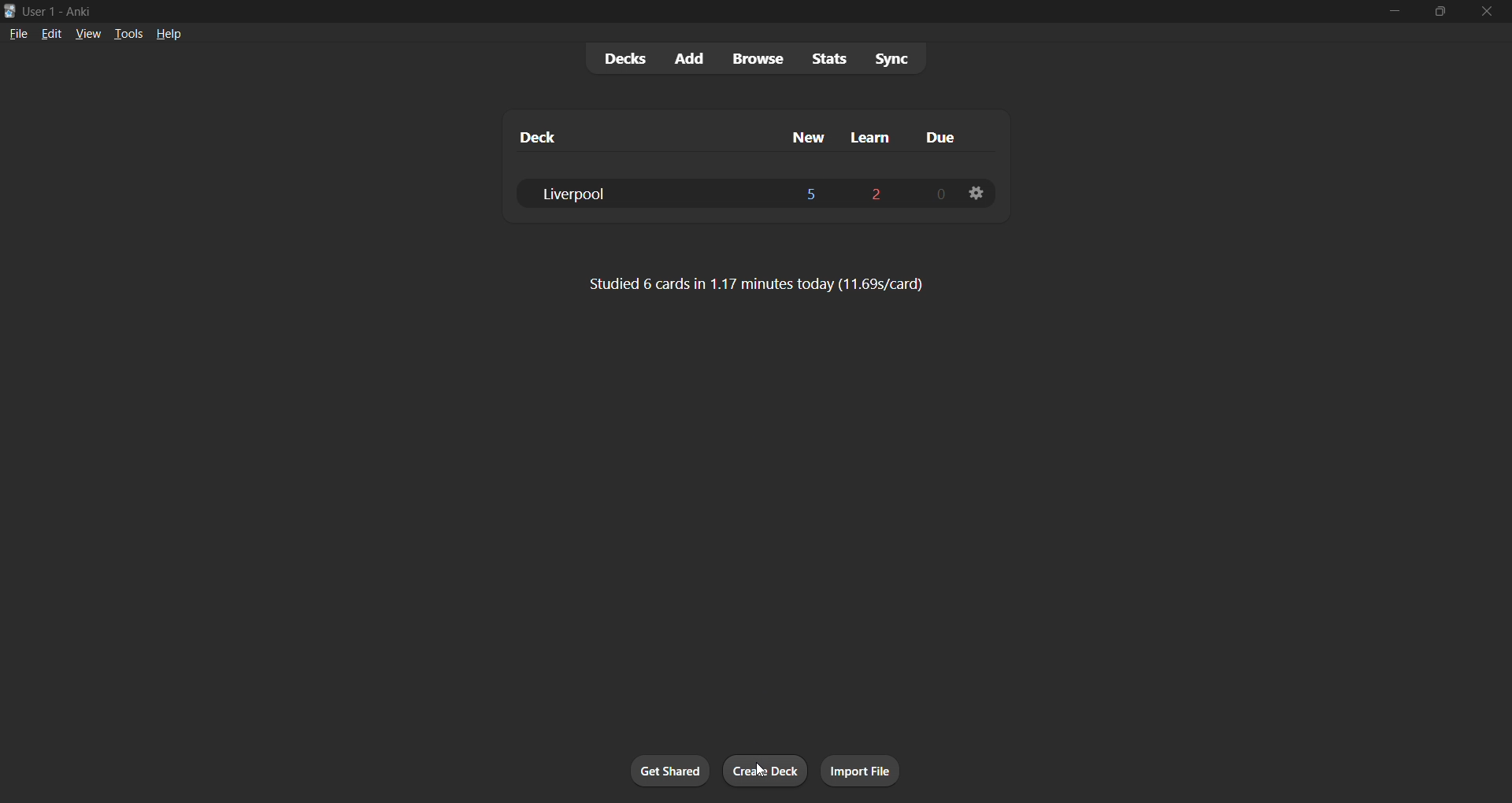 This screenshot has width=1512, height=803. What do you see at coordinates (46, 33) in the screenshot?
I see `edit` at bounding box center [46, 33].